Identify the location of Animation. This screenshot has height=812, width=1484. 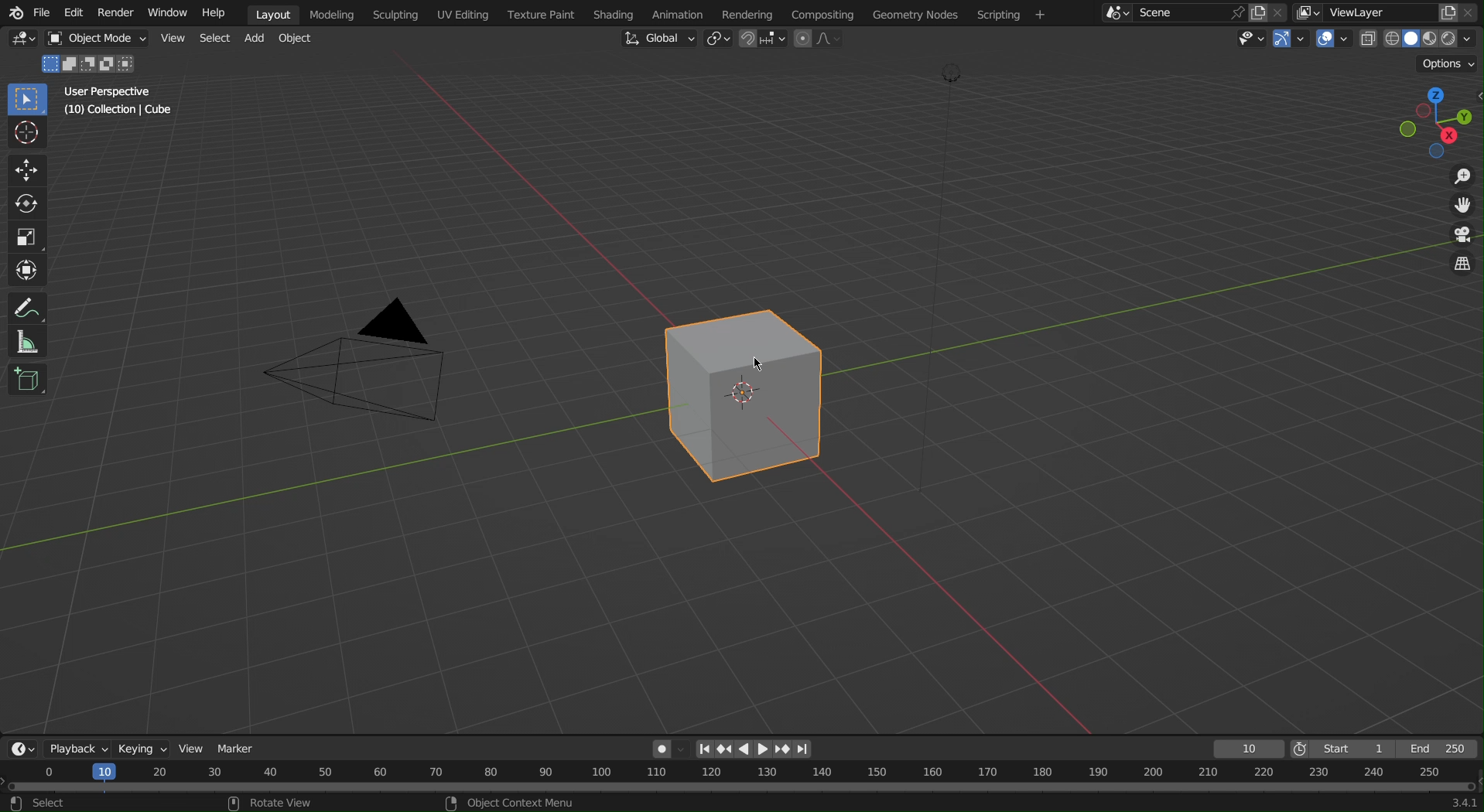
(685, 12).